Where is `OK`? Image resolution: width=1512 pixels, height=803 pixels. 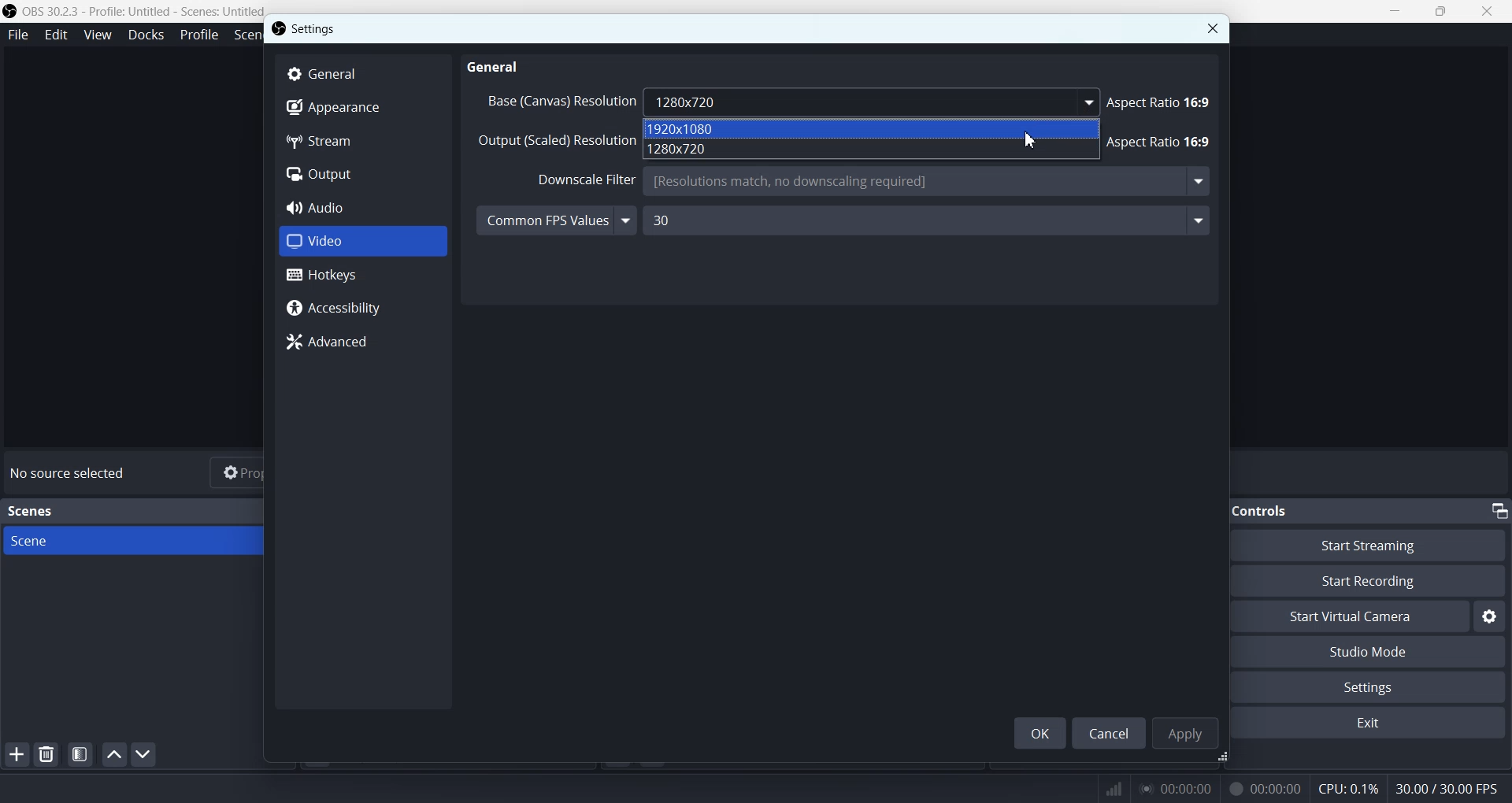
OK is located at coordinates (1039, 733).